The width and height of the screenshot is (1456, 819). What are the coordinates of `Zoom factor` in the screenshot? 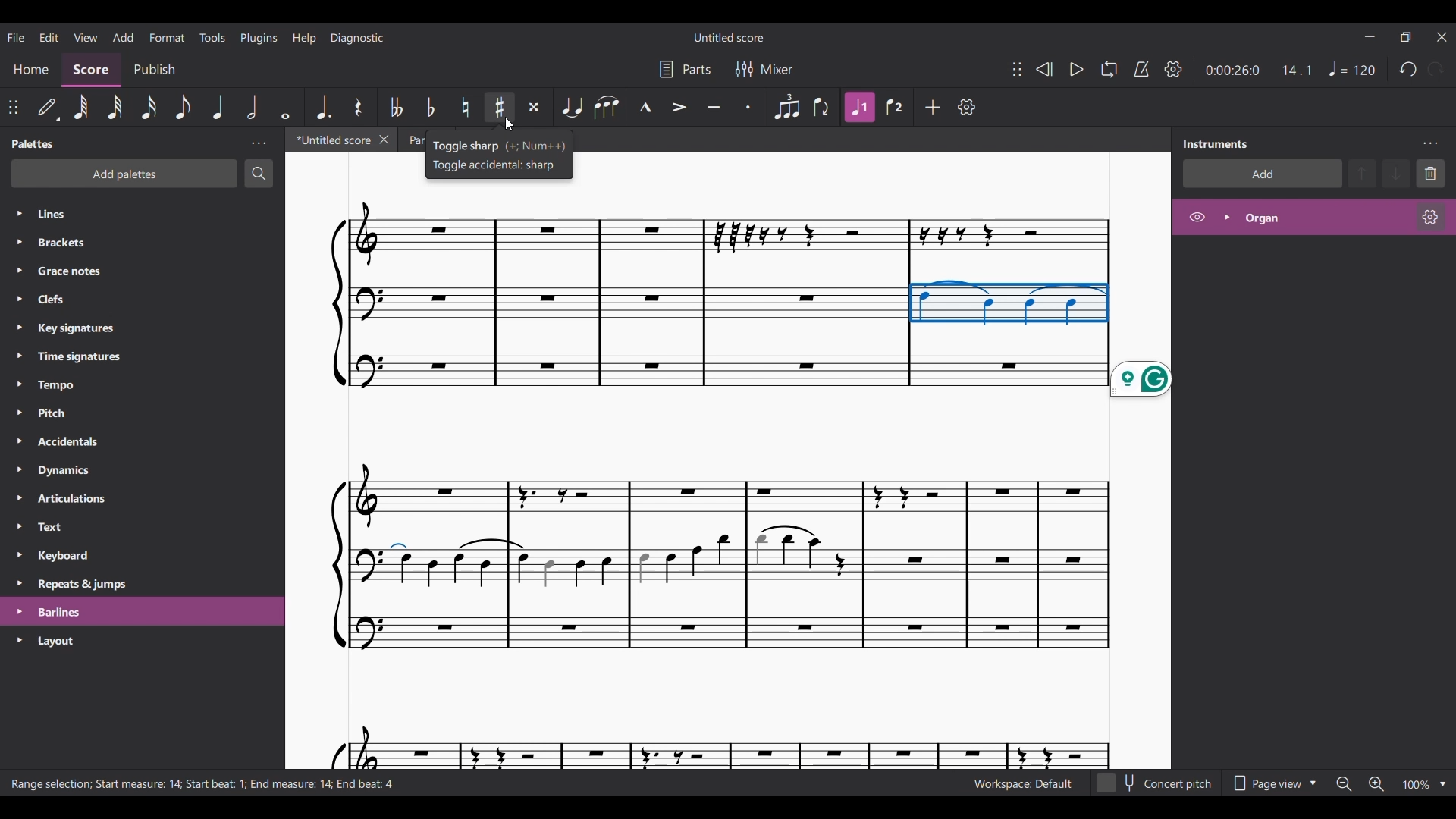 It's located at (1416, 785).